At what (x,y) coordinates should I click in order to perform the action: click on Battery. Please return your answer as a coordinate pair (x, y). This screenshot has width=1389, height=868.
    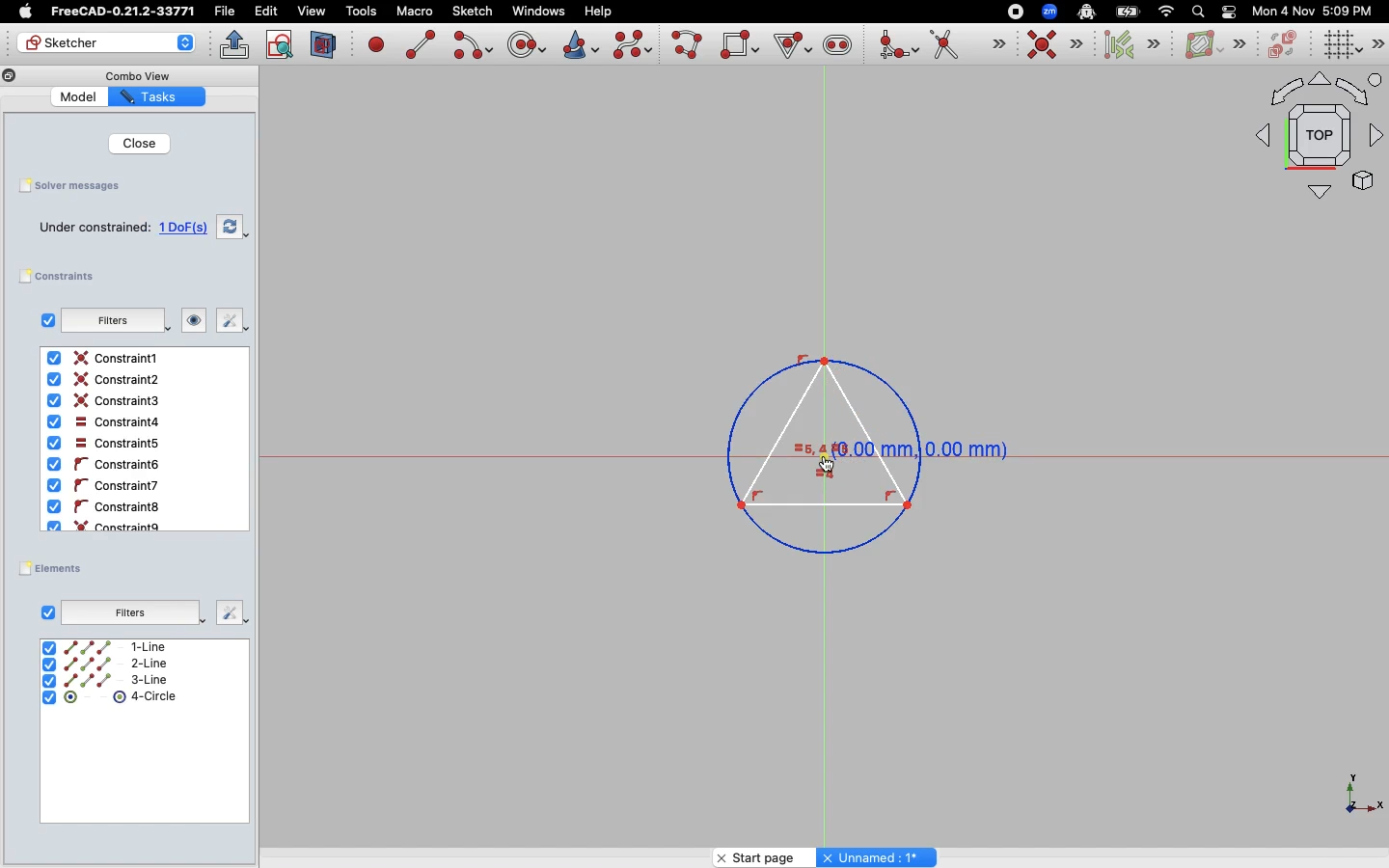
    Looking at the image, I should click on (1129, 11).